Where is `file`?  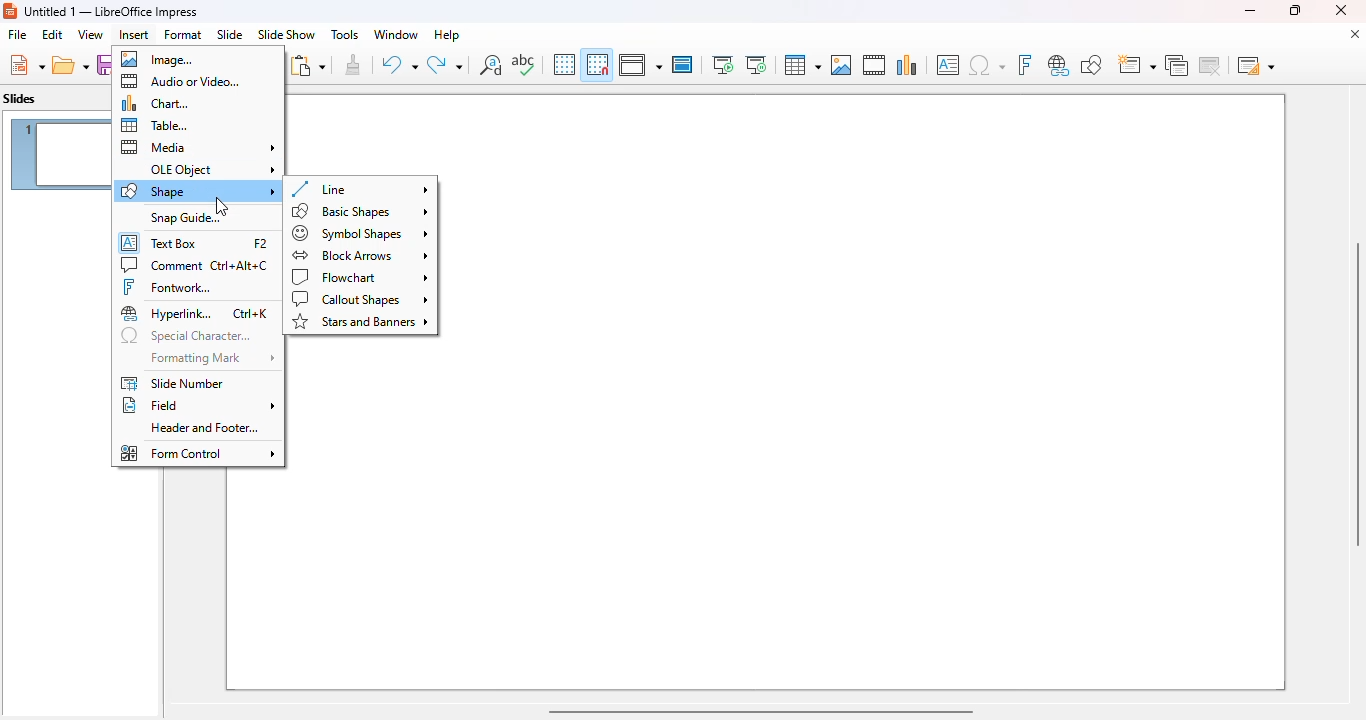 file is located at coordinates (17, 35).